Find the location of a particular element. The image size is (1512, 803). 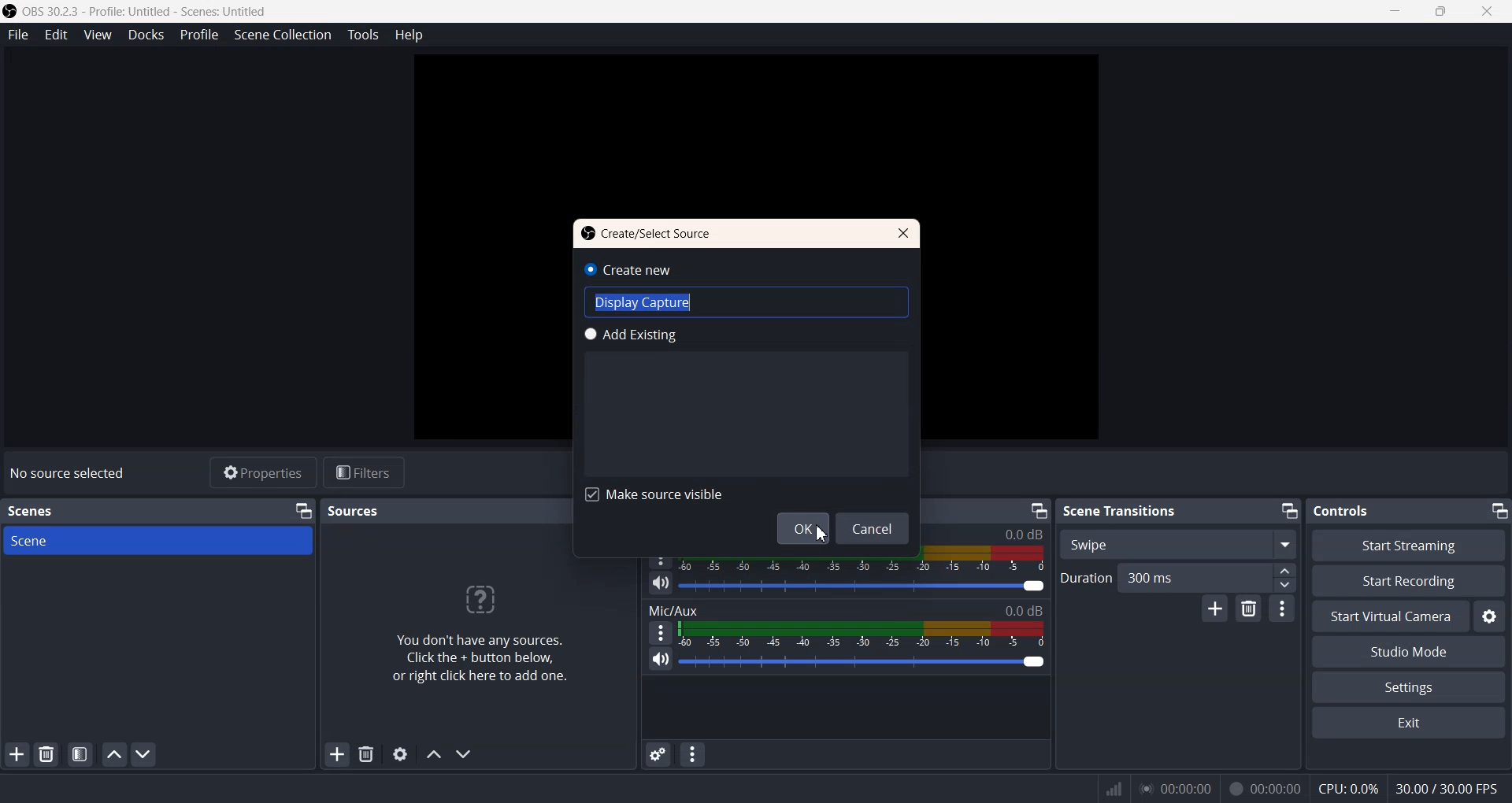

Minimize is located at coordinates (1497, 510).